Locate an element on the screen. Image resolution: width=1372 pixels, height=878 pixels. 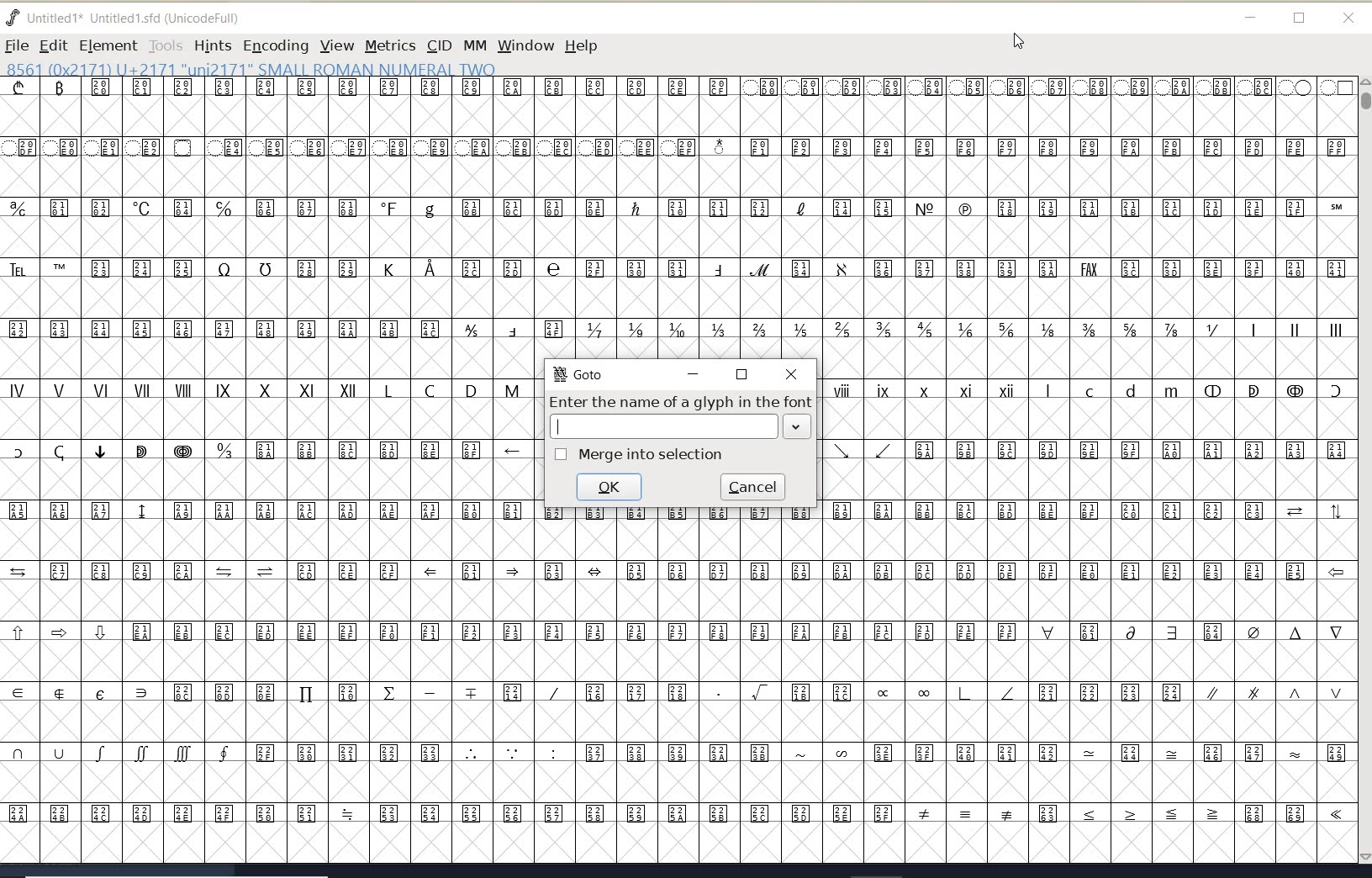
restore is located at coordinates (1300, 19).